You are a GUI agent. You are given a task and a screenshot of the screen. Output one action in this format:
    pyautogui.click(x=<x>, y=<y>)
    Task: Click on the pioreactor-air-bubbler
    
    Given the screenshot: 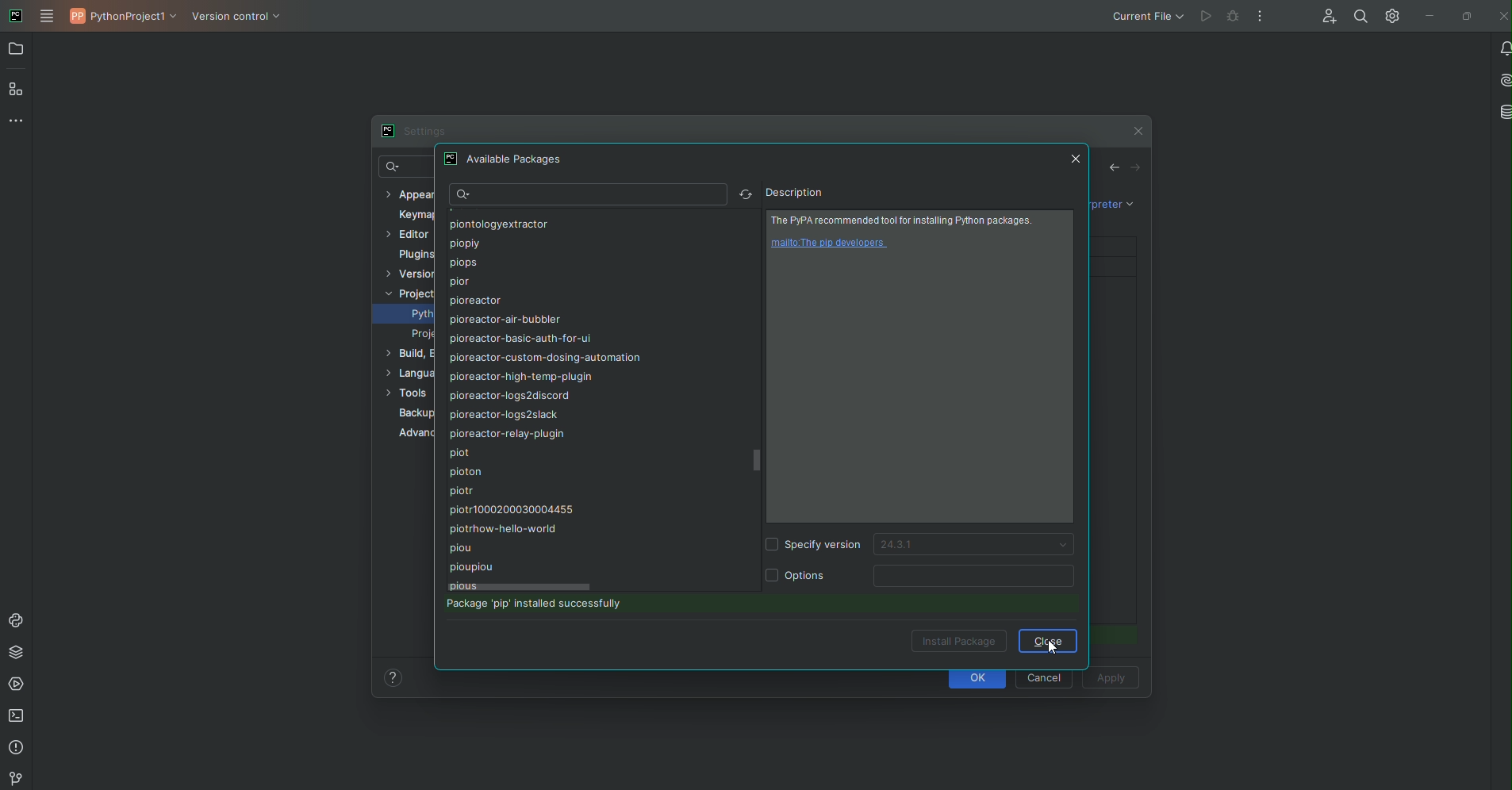 What is the action you would take?
    pyautogui.click(x=502, y=320)
    